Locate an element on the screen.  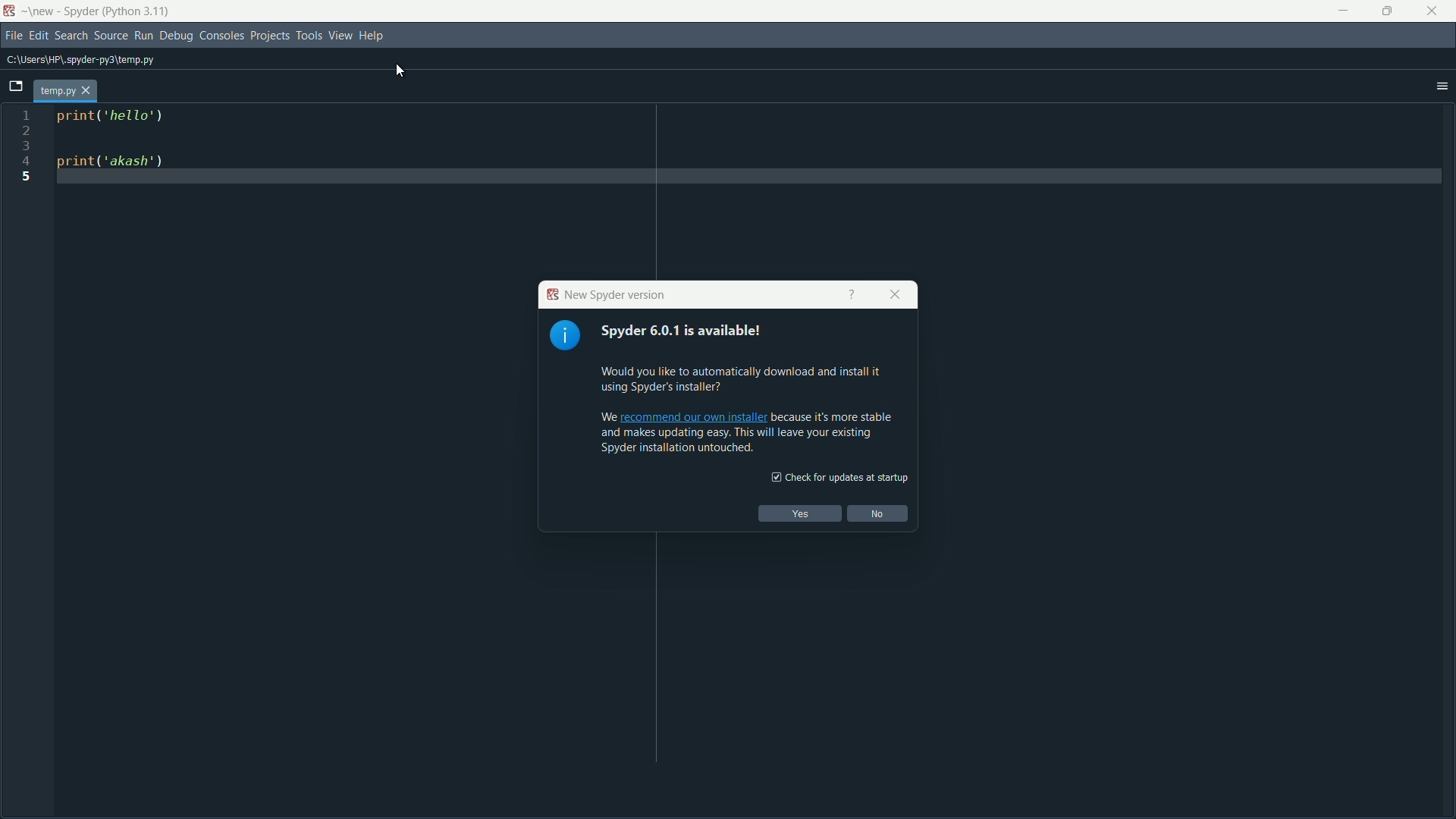
No is located at coordinates (879, 513).